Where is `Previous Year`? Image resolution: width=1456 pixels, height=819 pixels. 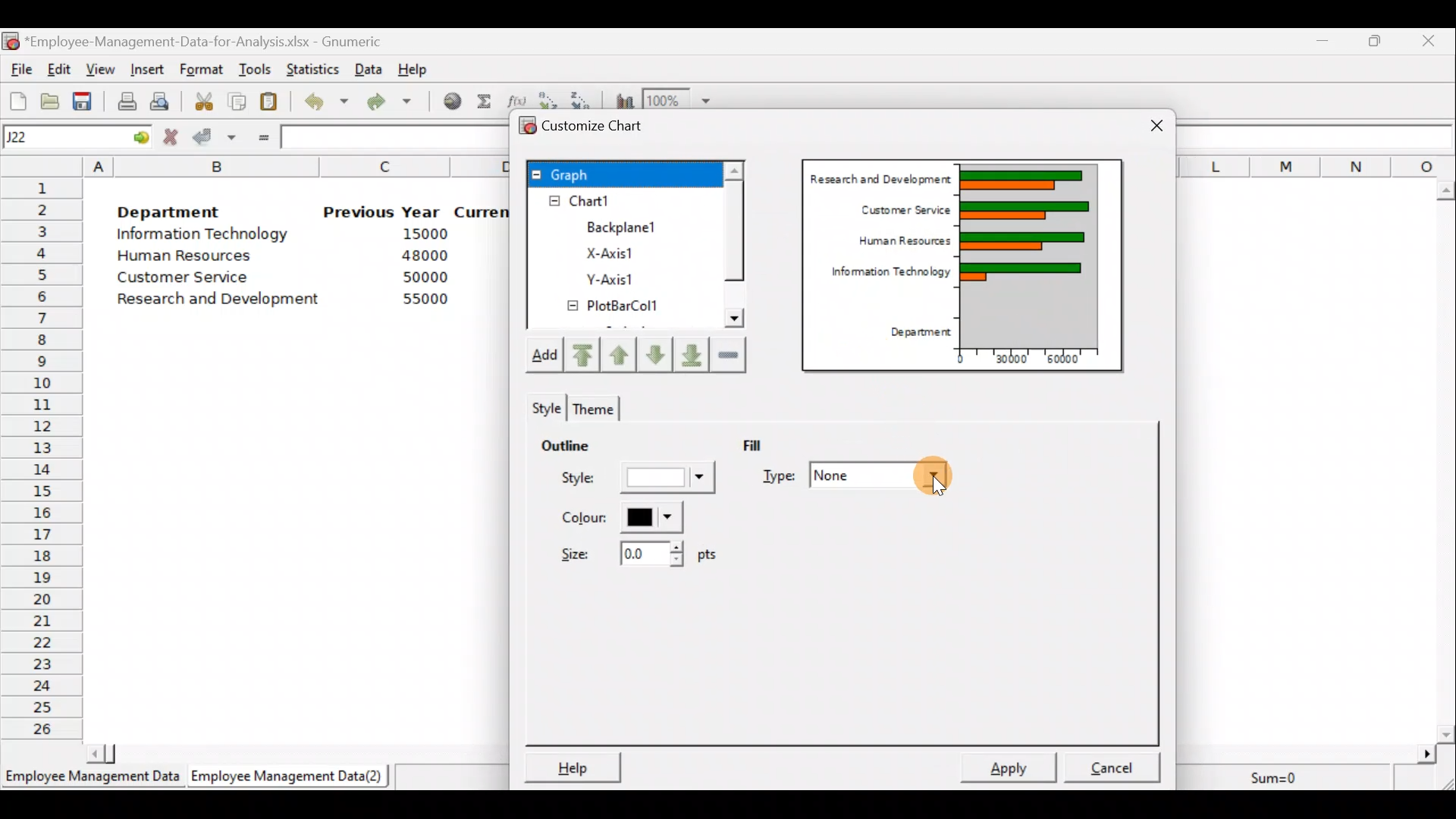
Previous Year is located at coordinates (383, 211).